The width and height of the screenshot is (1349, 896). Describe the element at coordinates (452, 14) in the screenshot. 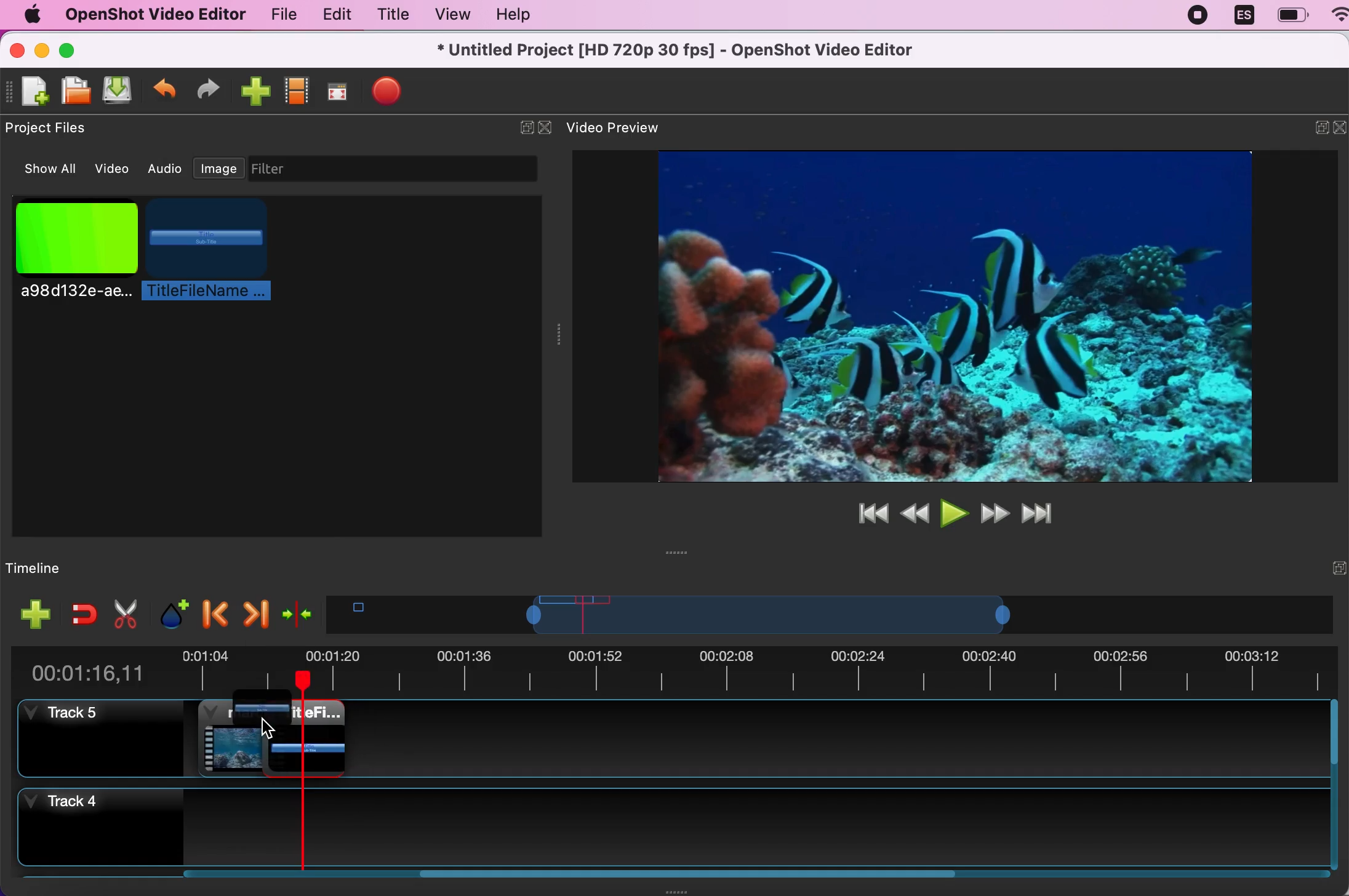

I see `view` at that location.